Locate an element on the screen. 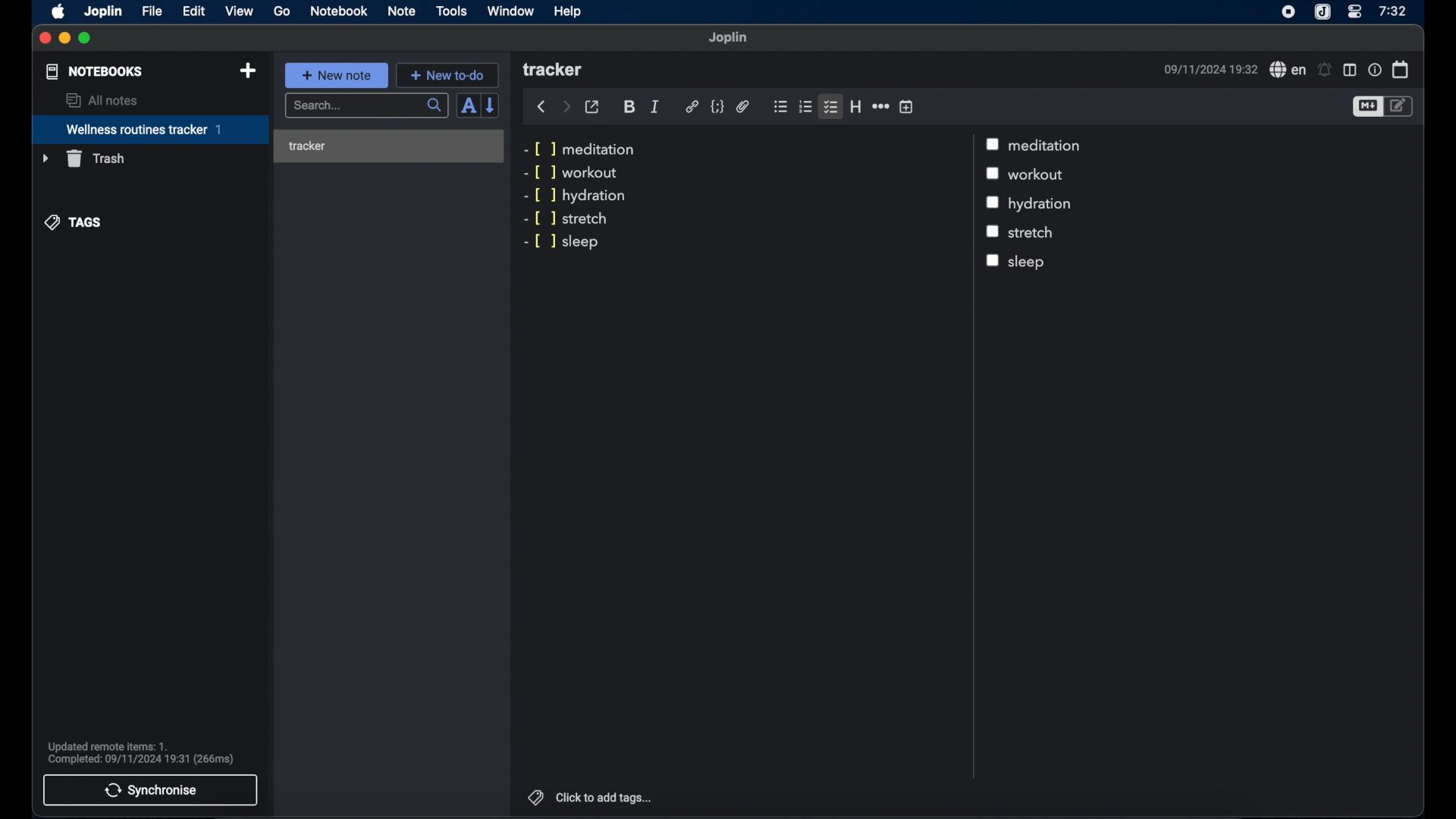 The width and height of the screenshot is (1456, 819). checkbox is located at coordinates (993, 262).